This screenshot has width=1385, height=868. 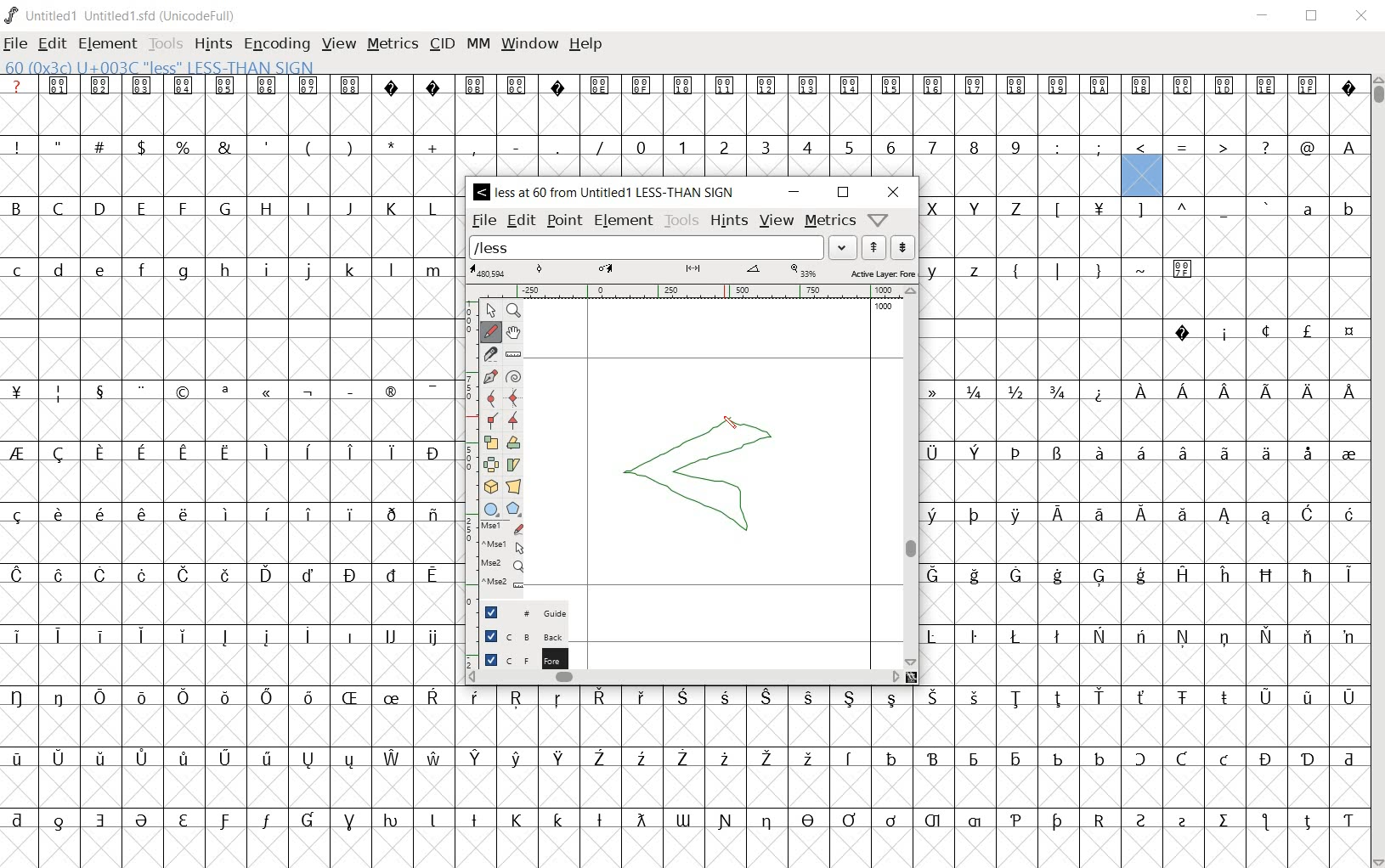 What do you see at coordinates (564, 221) in the screenshot?
I see `point` at bounding box center [564, 221].